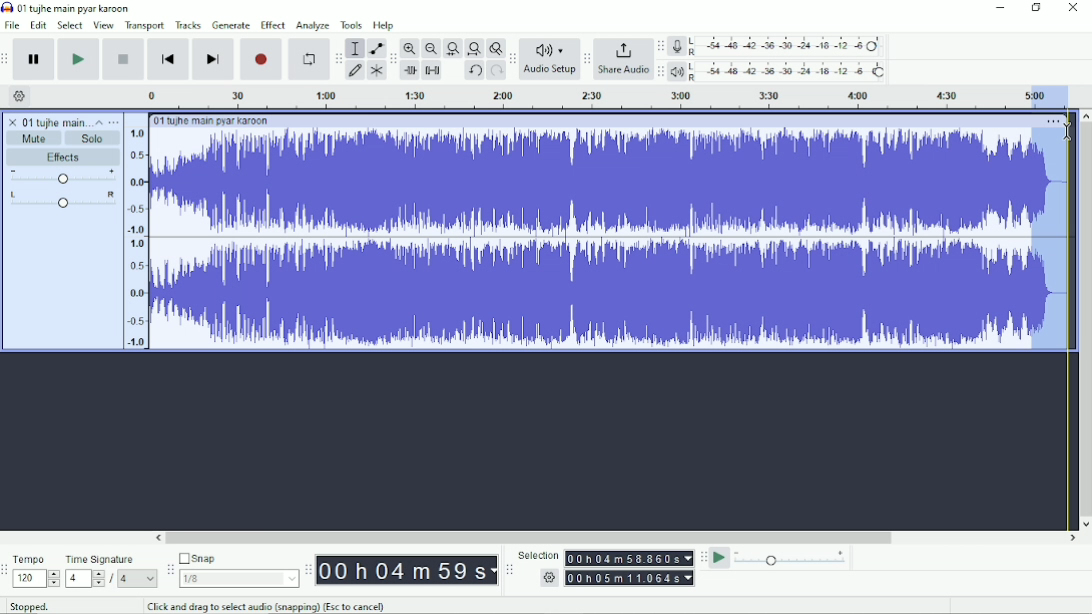 This screenshot has height=614, width=1092. Describe the element at coordinates (115, 122) in the screenshot. I see `Open menu` at that location.